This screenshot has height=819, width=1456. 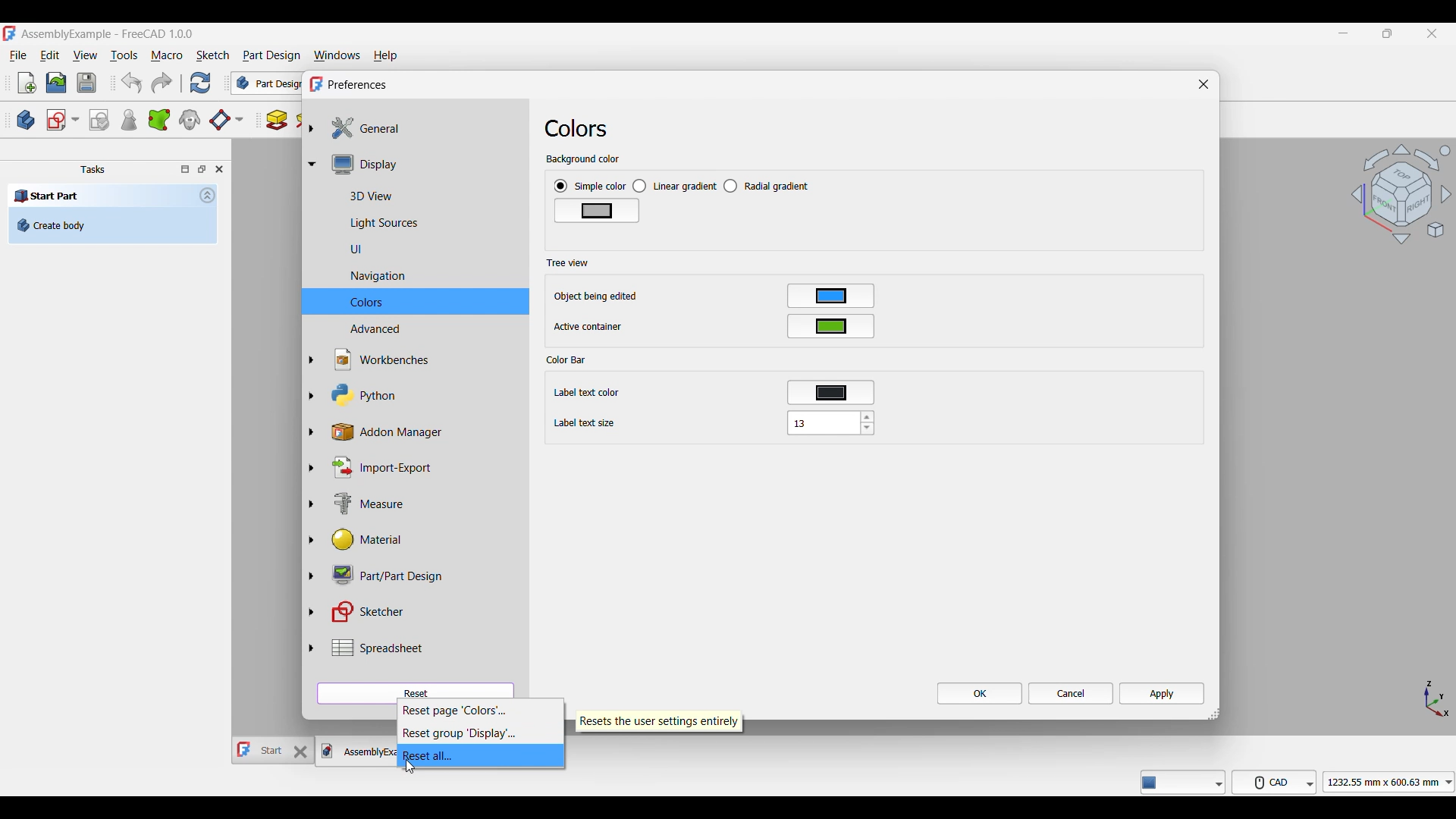 What do you see at coordinates (361, 612) in the screenshot?
I see `Sketcher` at bounding box center [361, 612].